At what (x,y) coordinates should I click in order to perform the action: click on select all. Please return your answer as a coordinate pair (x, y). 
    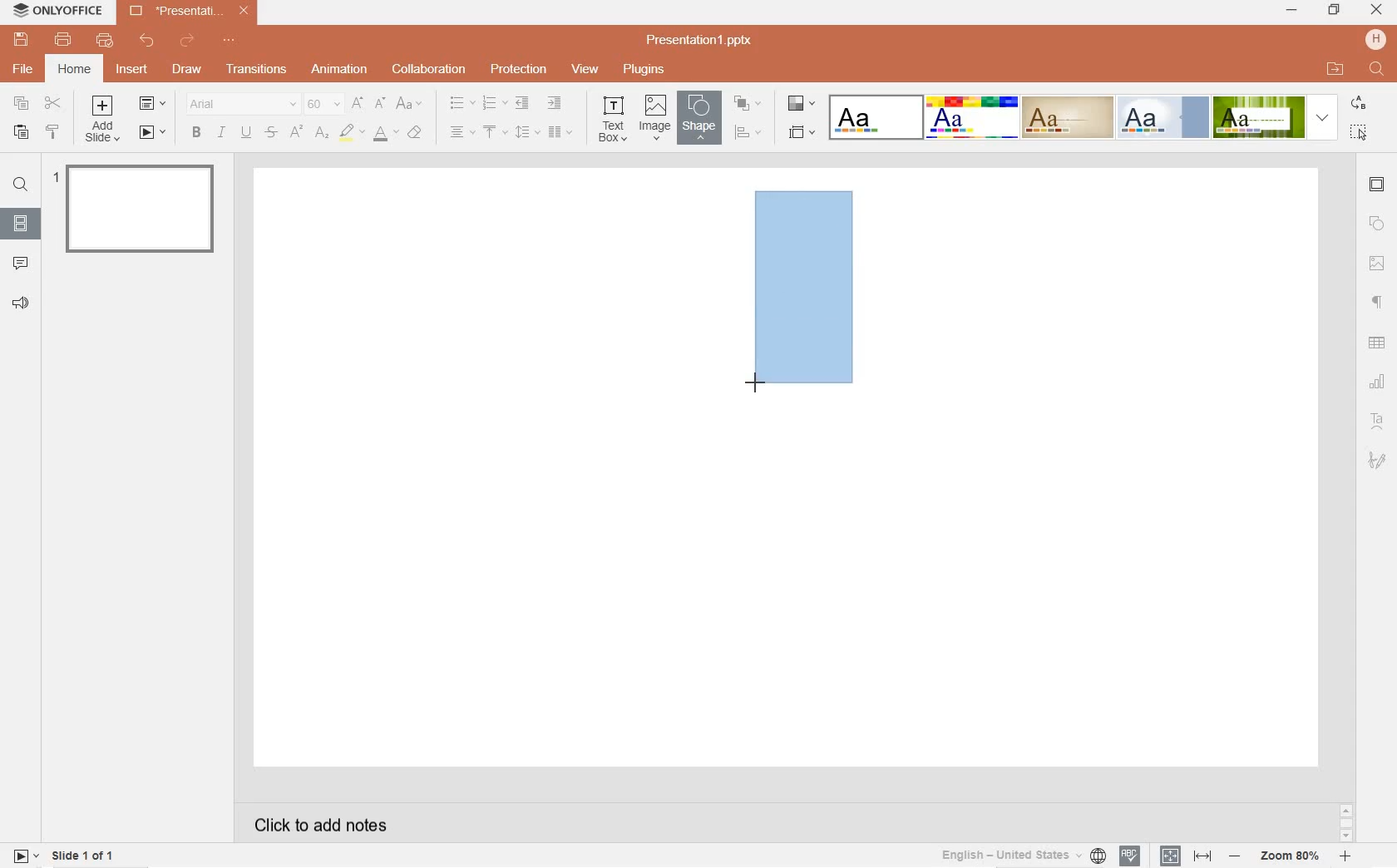
    Looking at the image, I should click on (1360, 132).